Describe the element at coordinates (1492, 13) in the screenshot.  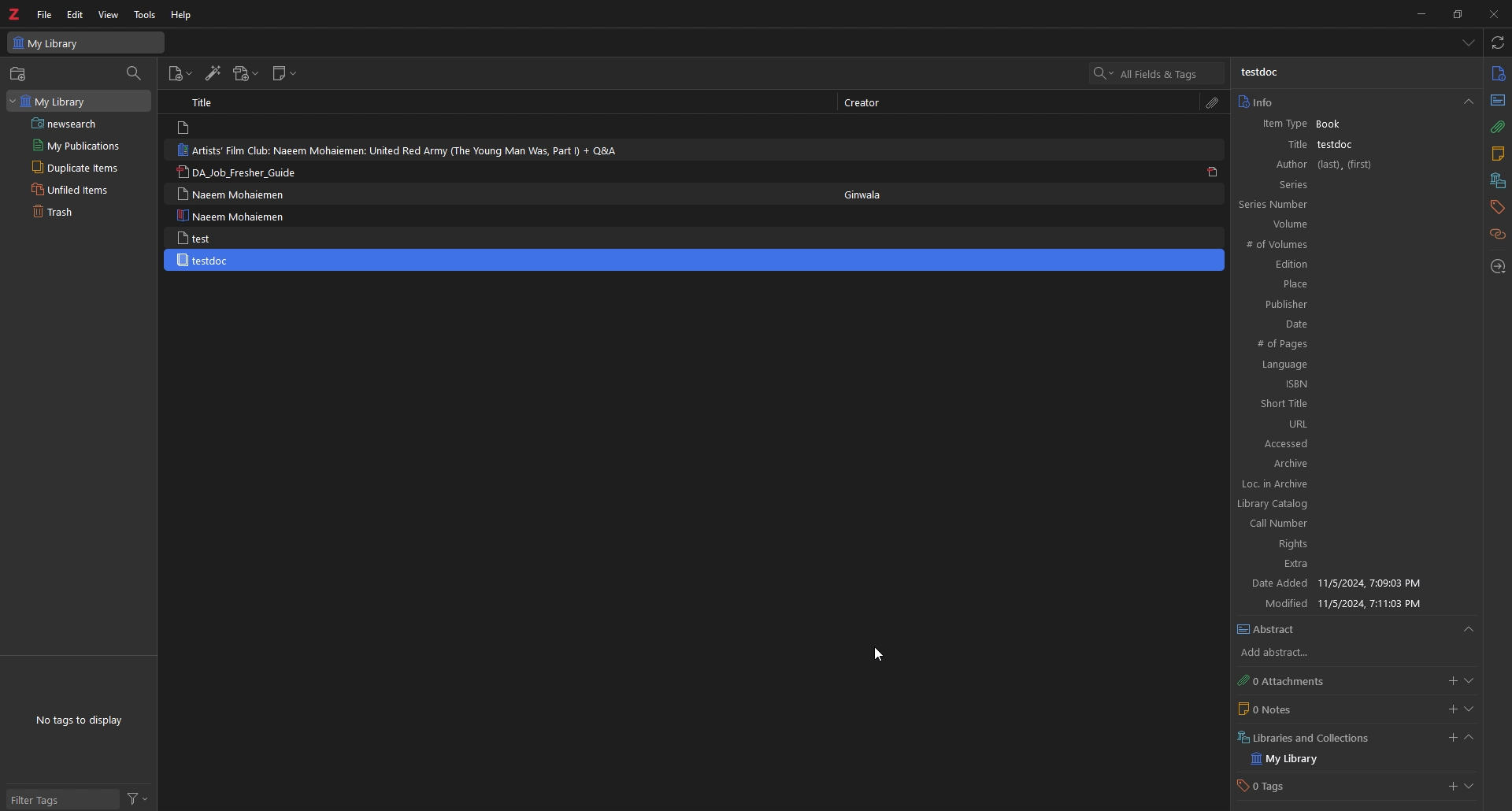
I see `close` at that location.